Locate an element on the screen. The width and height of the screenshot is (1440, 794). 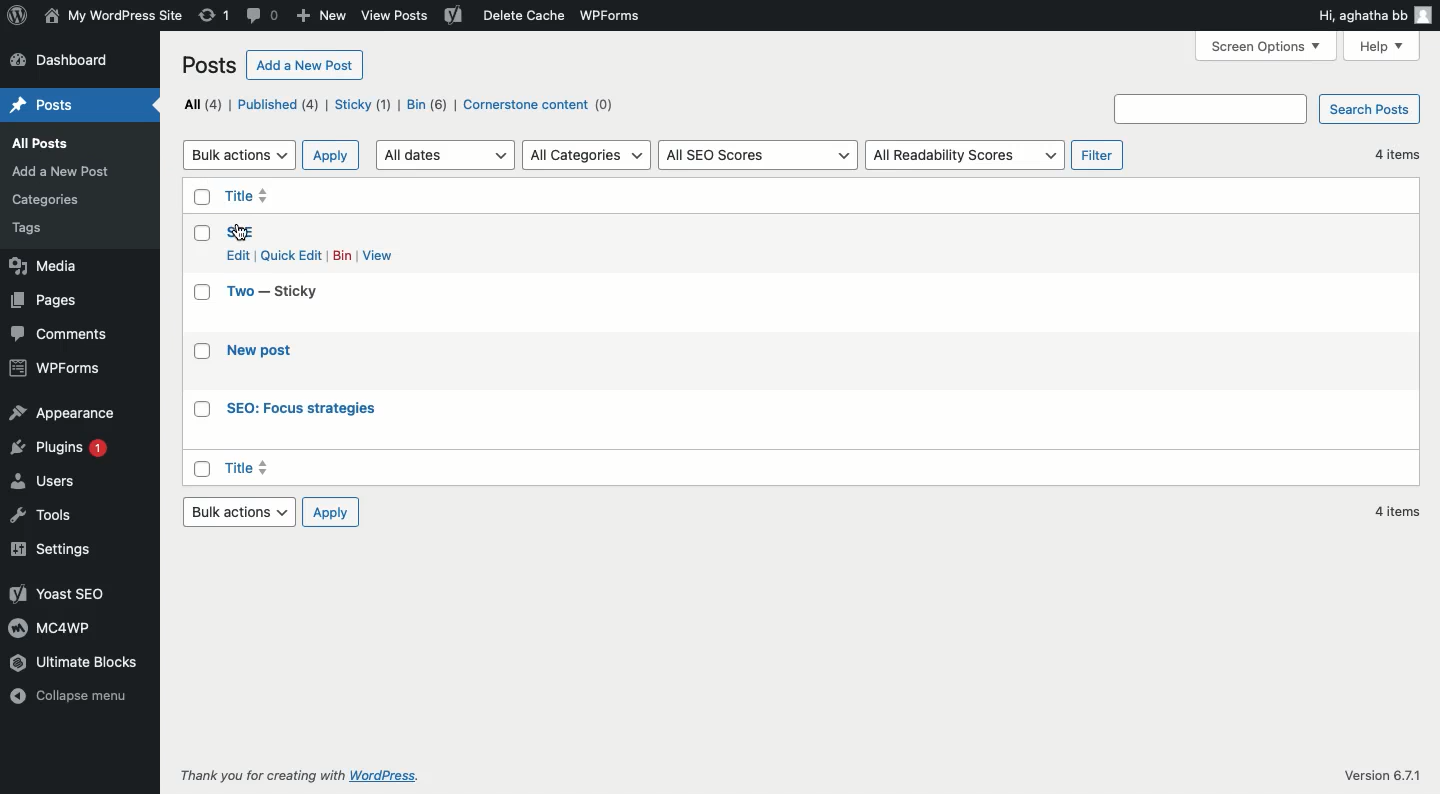
View is located at coordinates (382, 255).